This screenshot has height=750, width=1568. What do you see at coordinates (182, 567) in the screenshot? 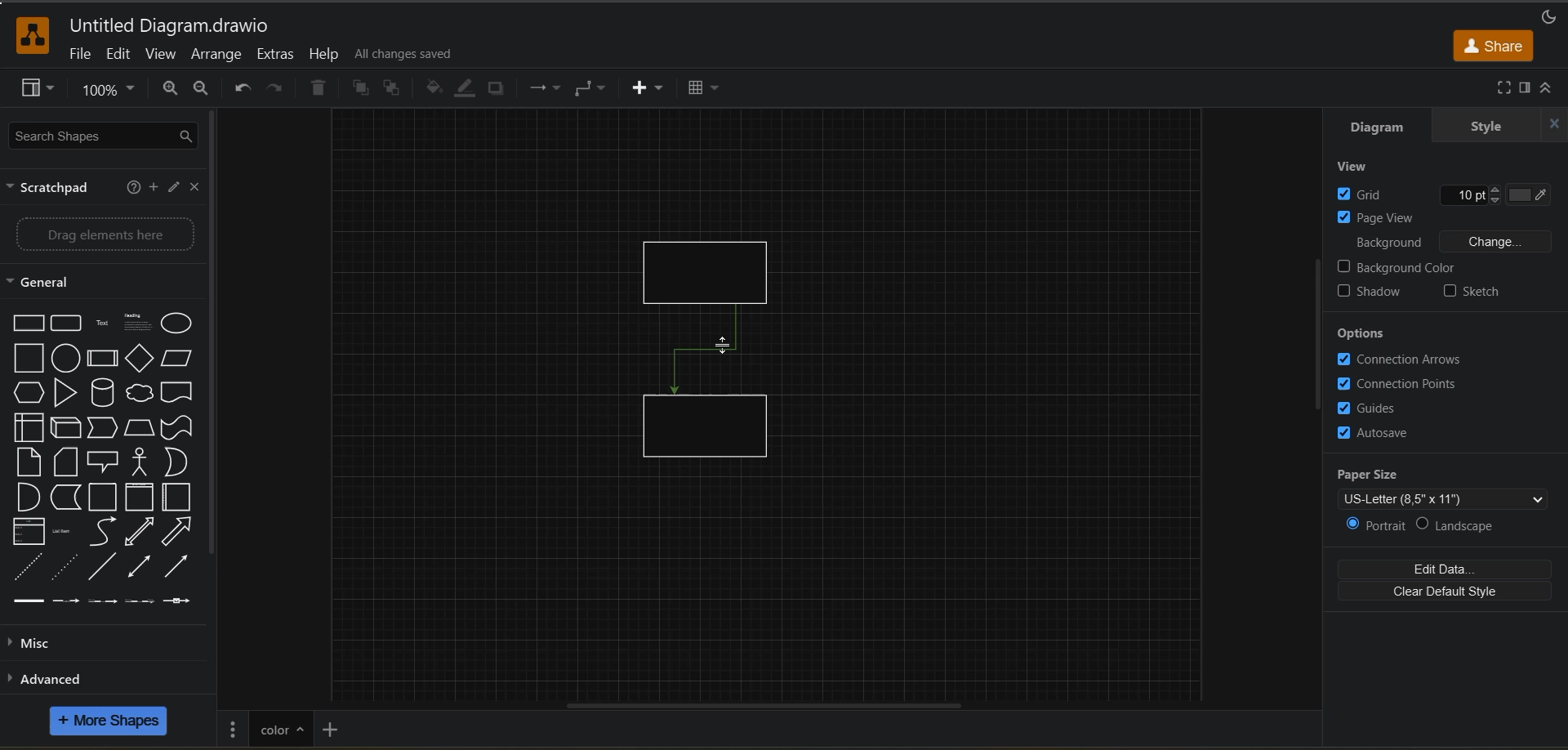
I see `Arrow` at bounding box center [182, 567].